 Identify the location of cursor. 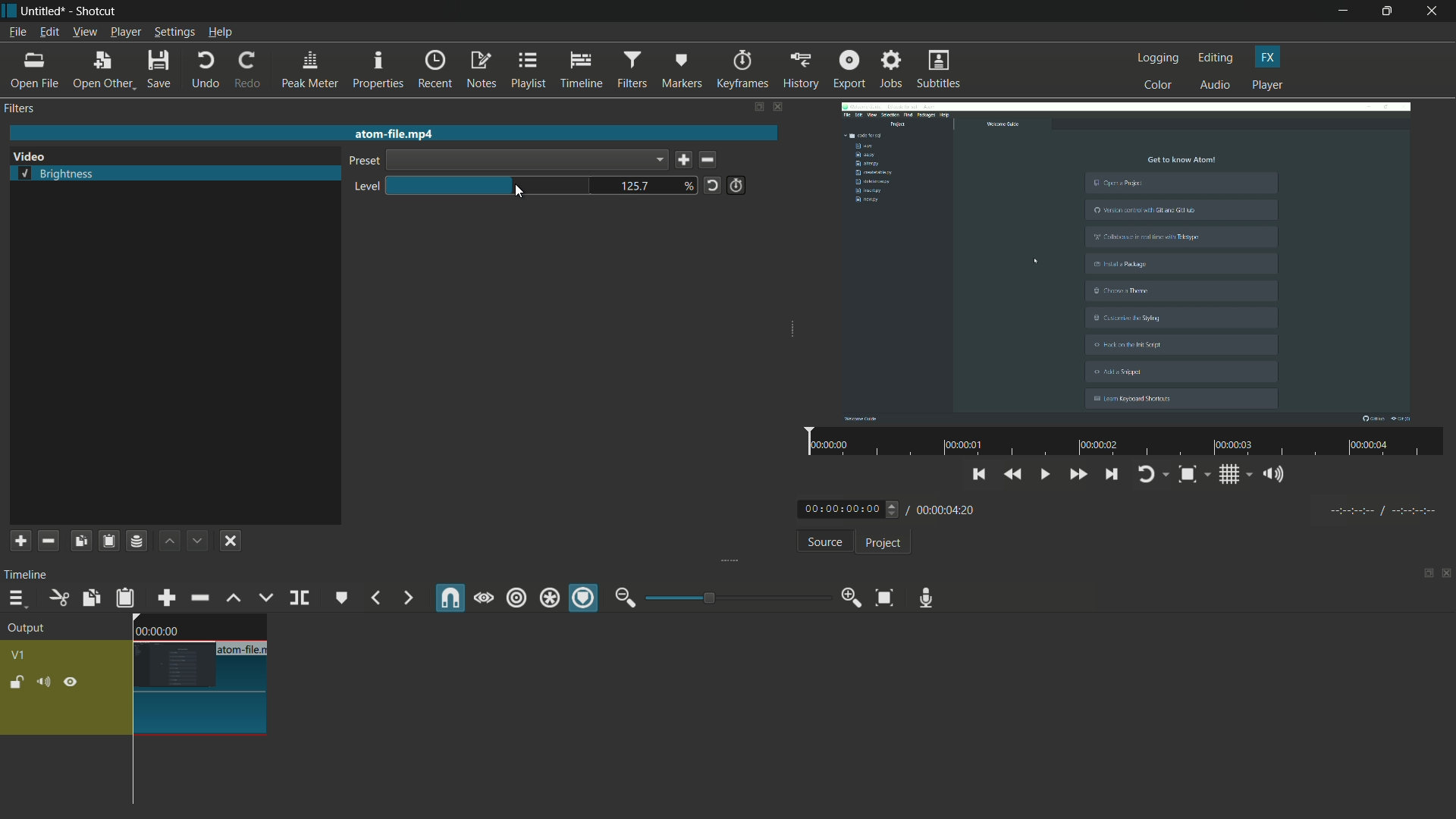
(521, 193).